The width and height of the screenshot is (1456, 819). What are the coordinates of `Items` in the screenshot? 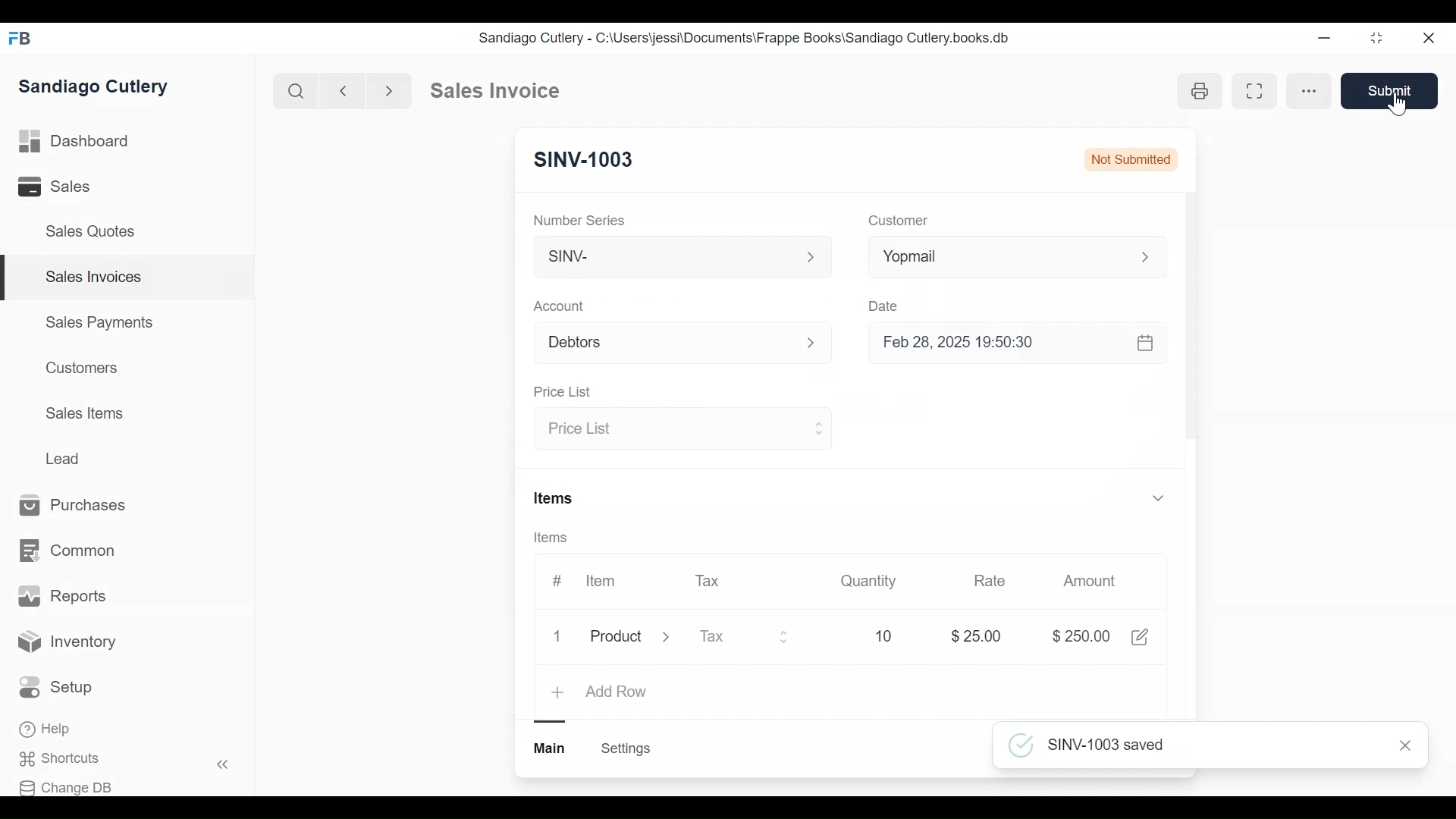 It's located at (552, 538).